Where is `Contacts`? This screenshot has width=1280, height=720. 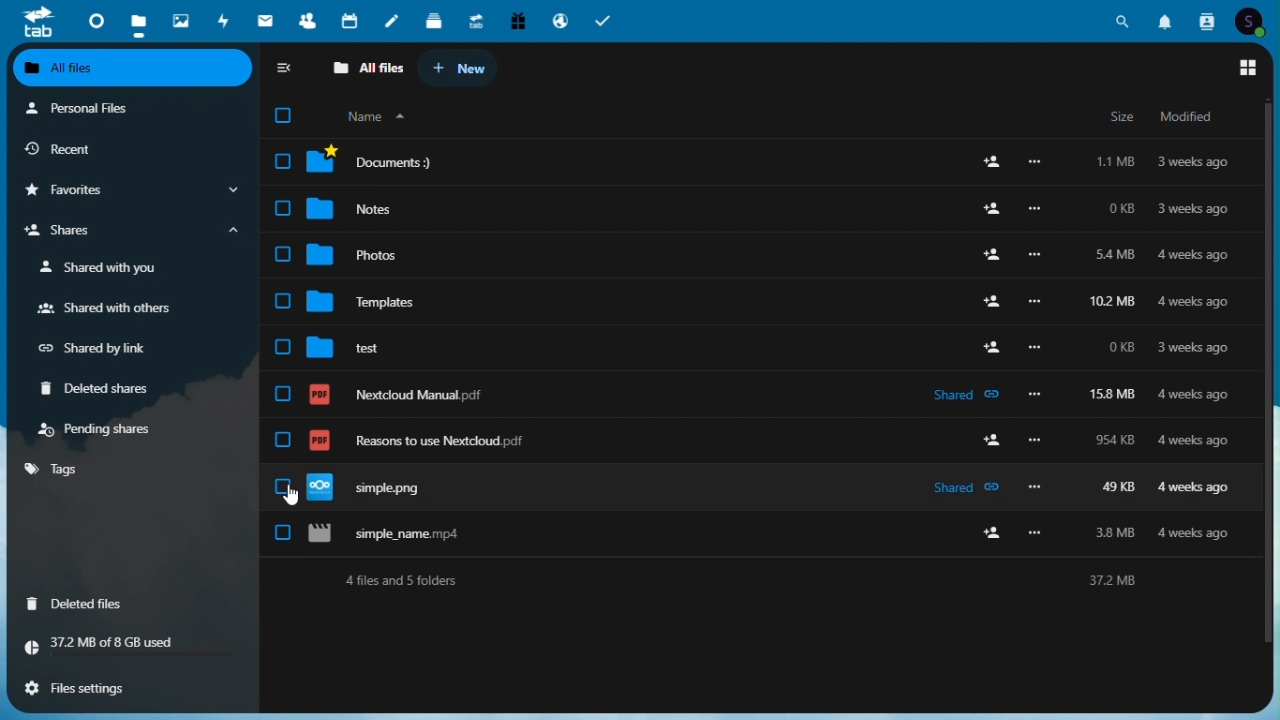
Contacts is located at coordinates (1208, 19).